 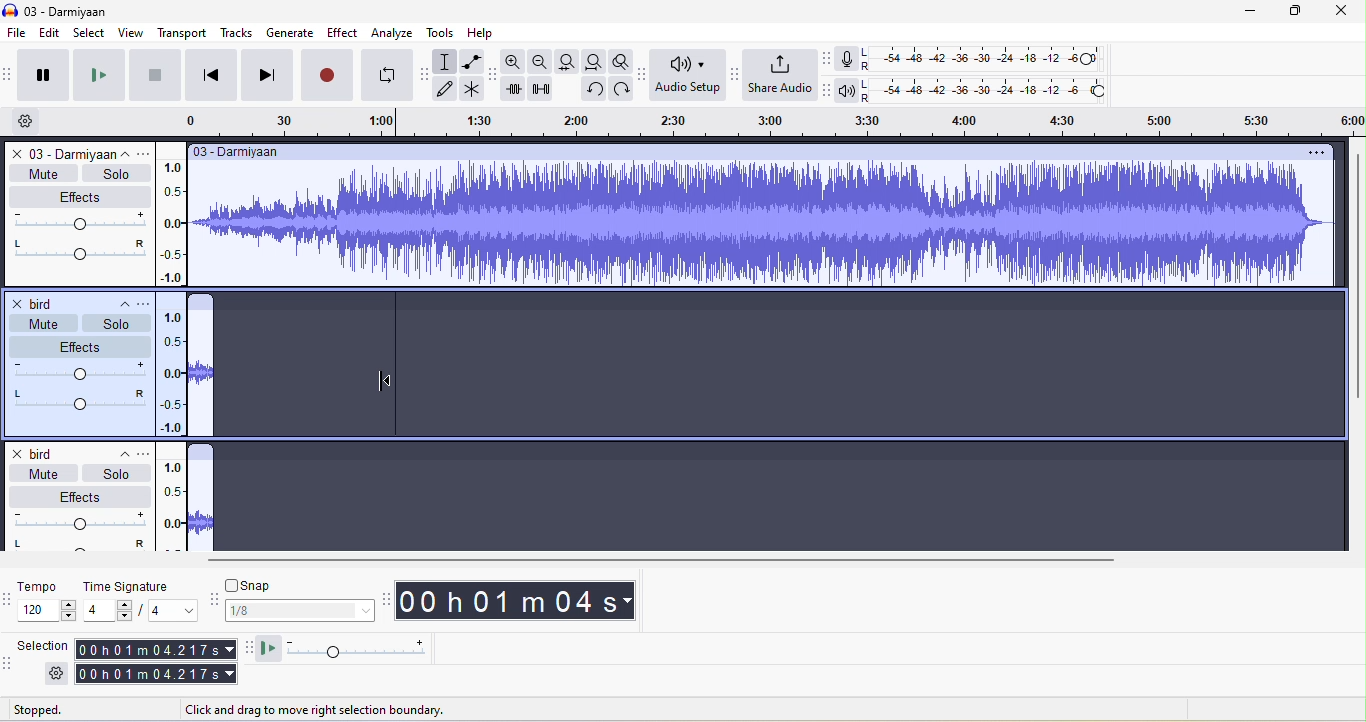 What do you see at coordinates (34, 121) in the screenshot?
I see `timeline option` at bounding box center [34, 121].